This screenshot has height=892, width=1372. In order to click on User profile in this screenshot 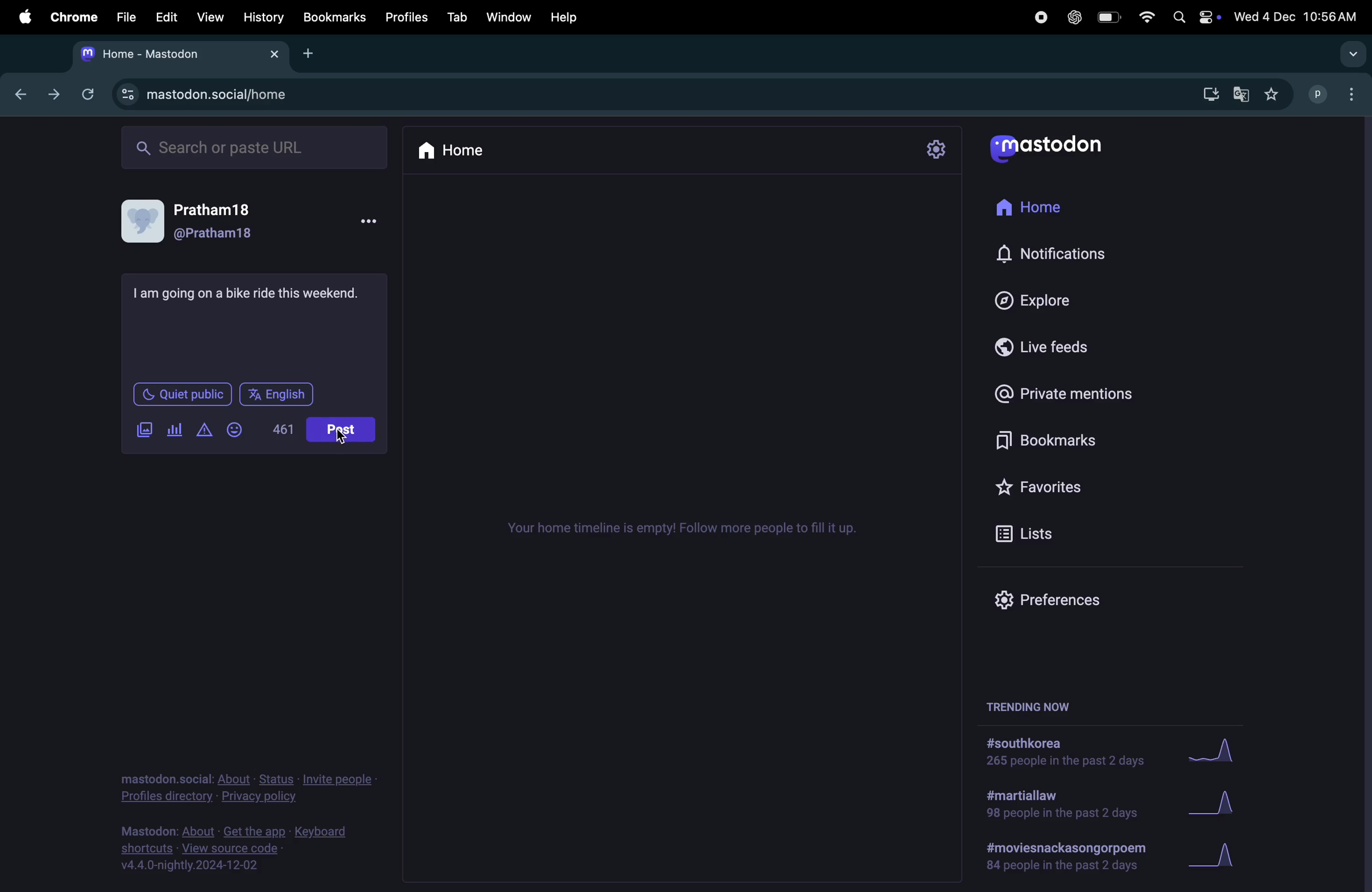, I will do `click(202, 222)`.